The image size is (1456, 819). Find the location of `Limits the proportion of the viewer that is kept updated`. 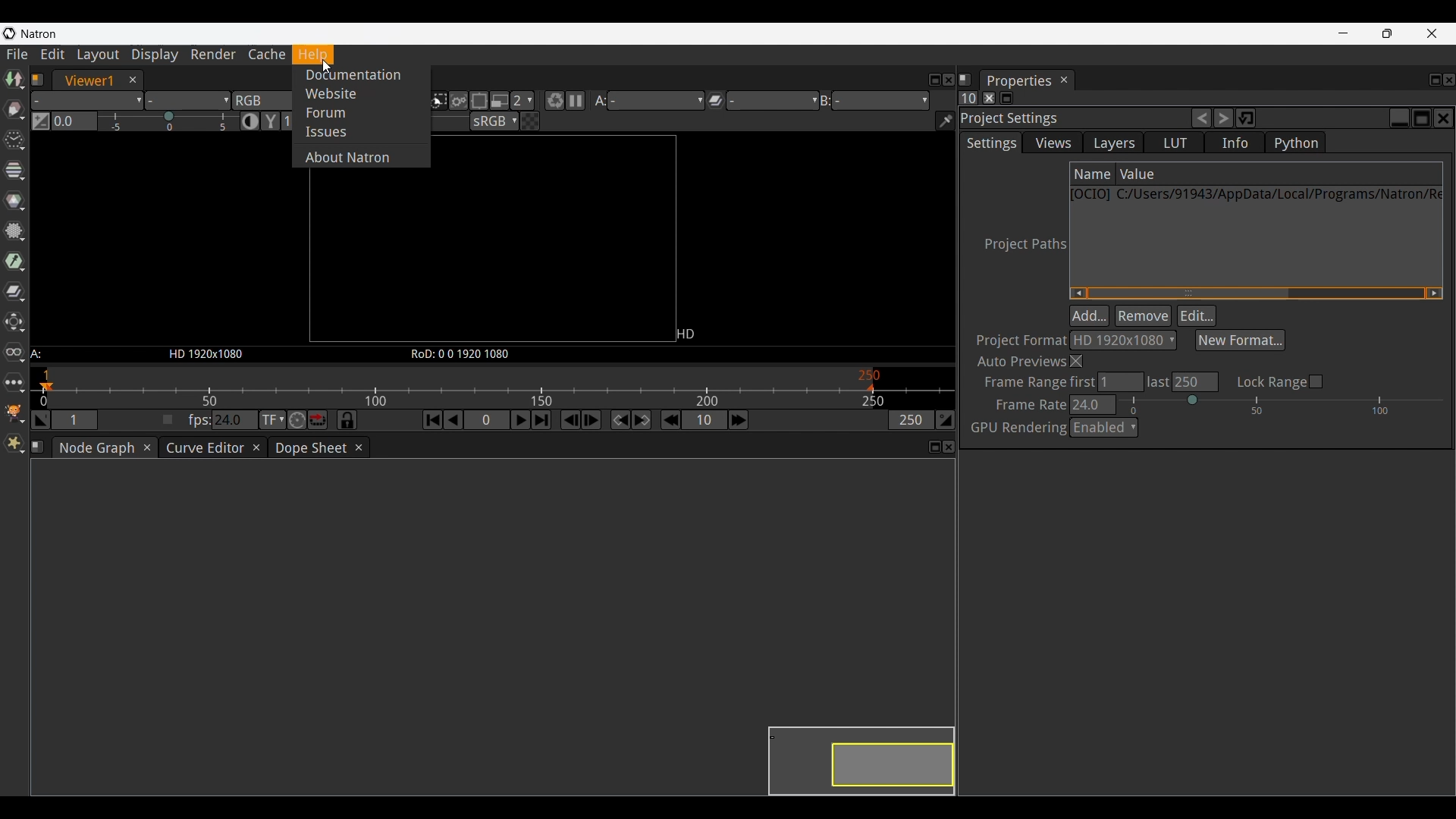

Limits the proportion of the viewer that is kept updated is located at coordinates (479, 100).